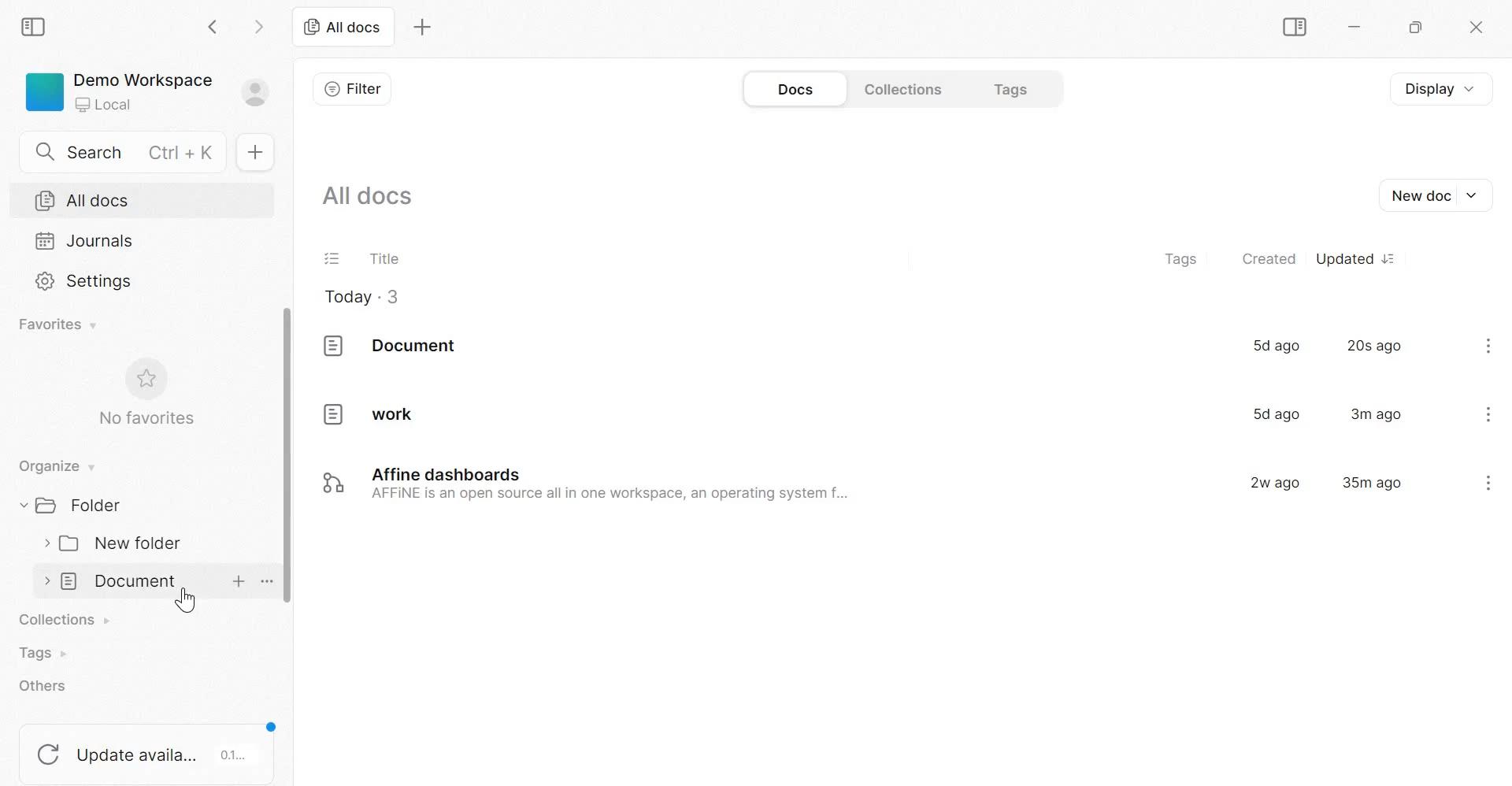 Image resolution: width=1512 pixels, height=786 pixels. What do you see at coordinates (1488, 481) in the screenshot?
I see `kebab menu` at bounding box center [1488, 481].